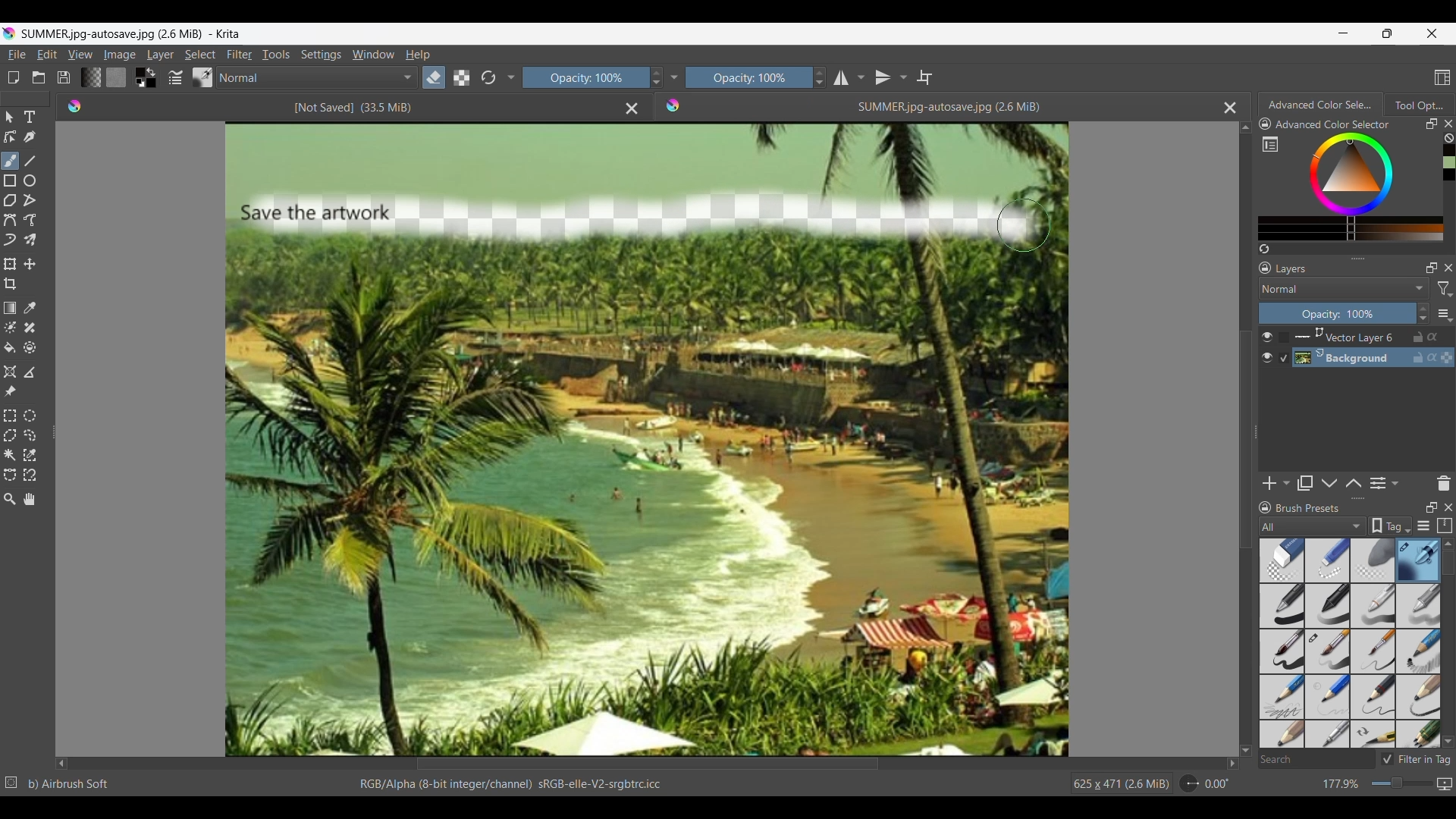 This screenshot has height=819, width=1456. I want to click on Similar color selection tool, so click(30, 455).